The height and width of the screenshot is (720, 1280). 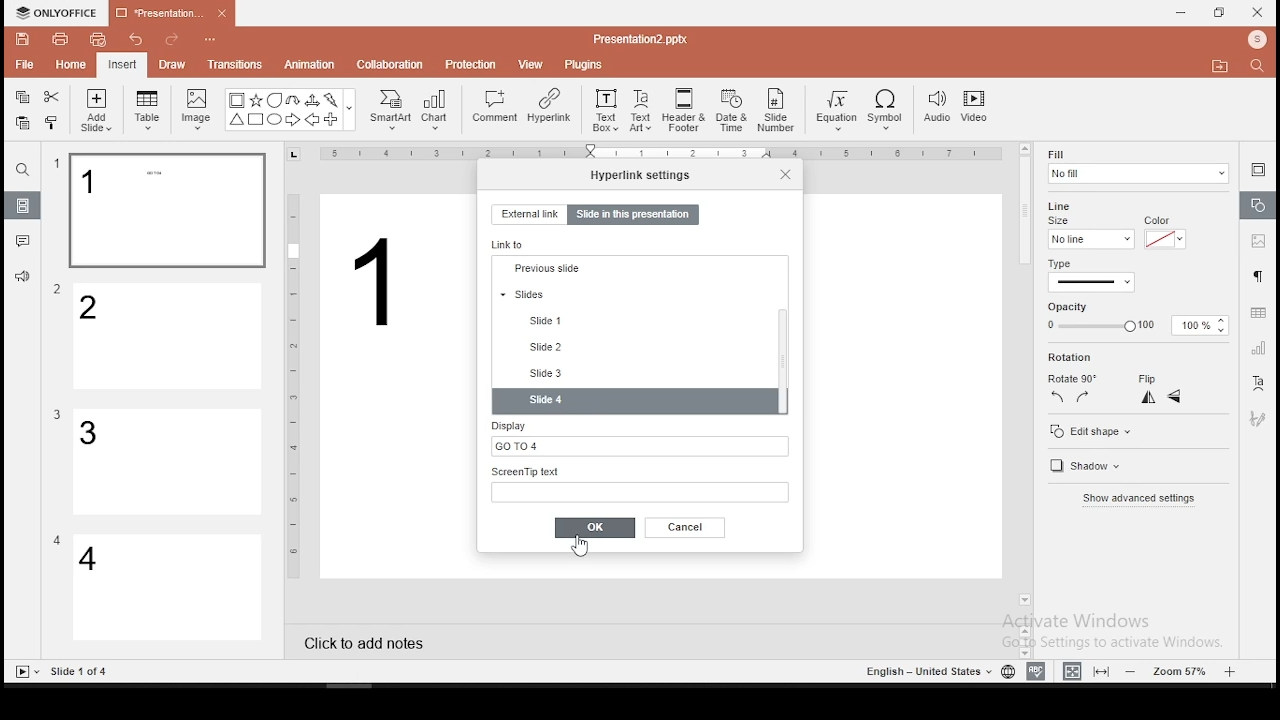 What do you see at coordinates (98, 39) in the screenshot?
I see `quick print` at bounding box center [98, 39].